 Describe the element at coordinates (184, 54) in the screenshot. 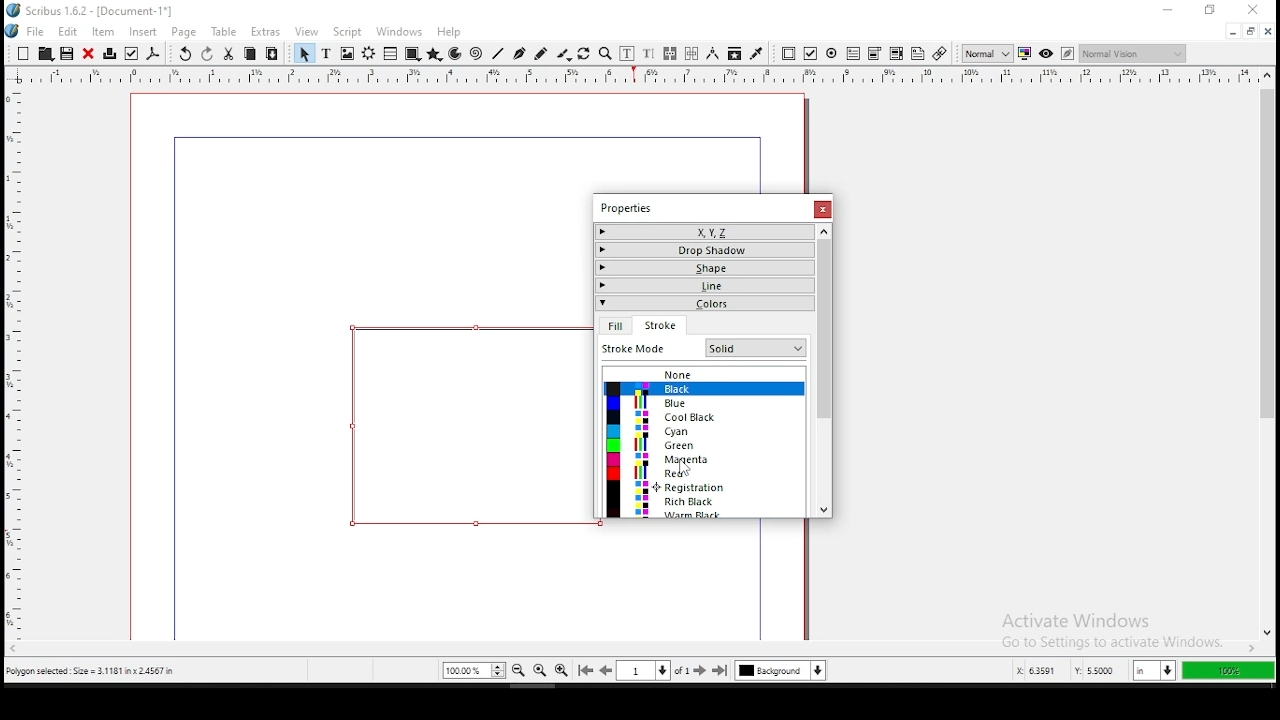

I see `undo` at that location.